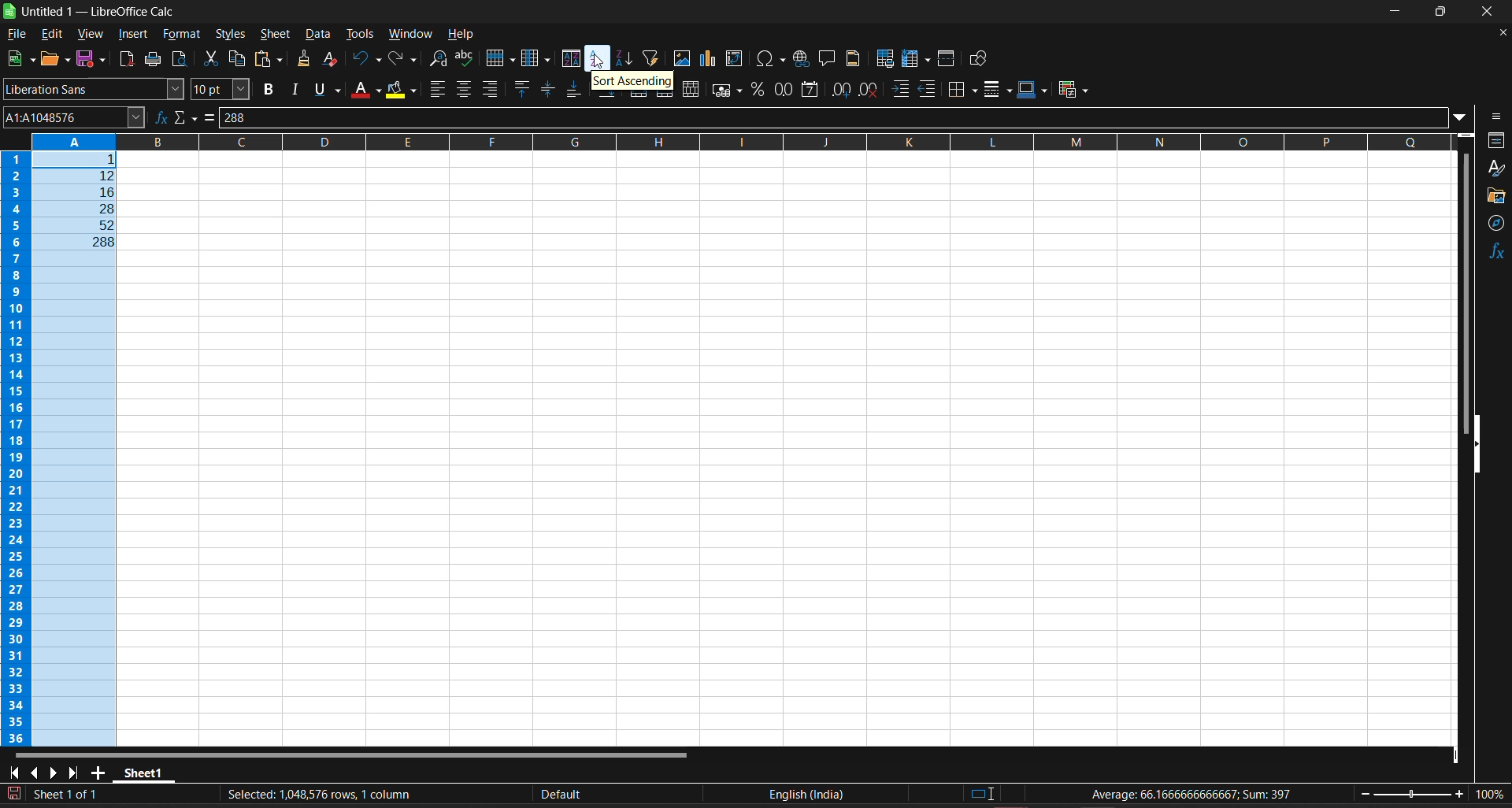 Image resolution: width=1512 pixels, height=808 pixels. I want to click on cursor, so click(604, 64).